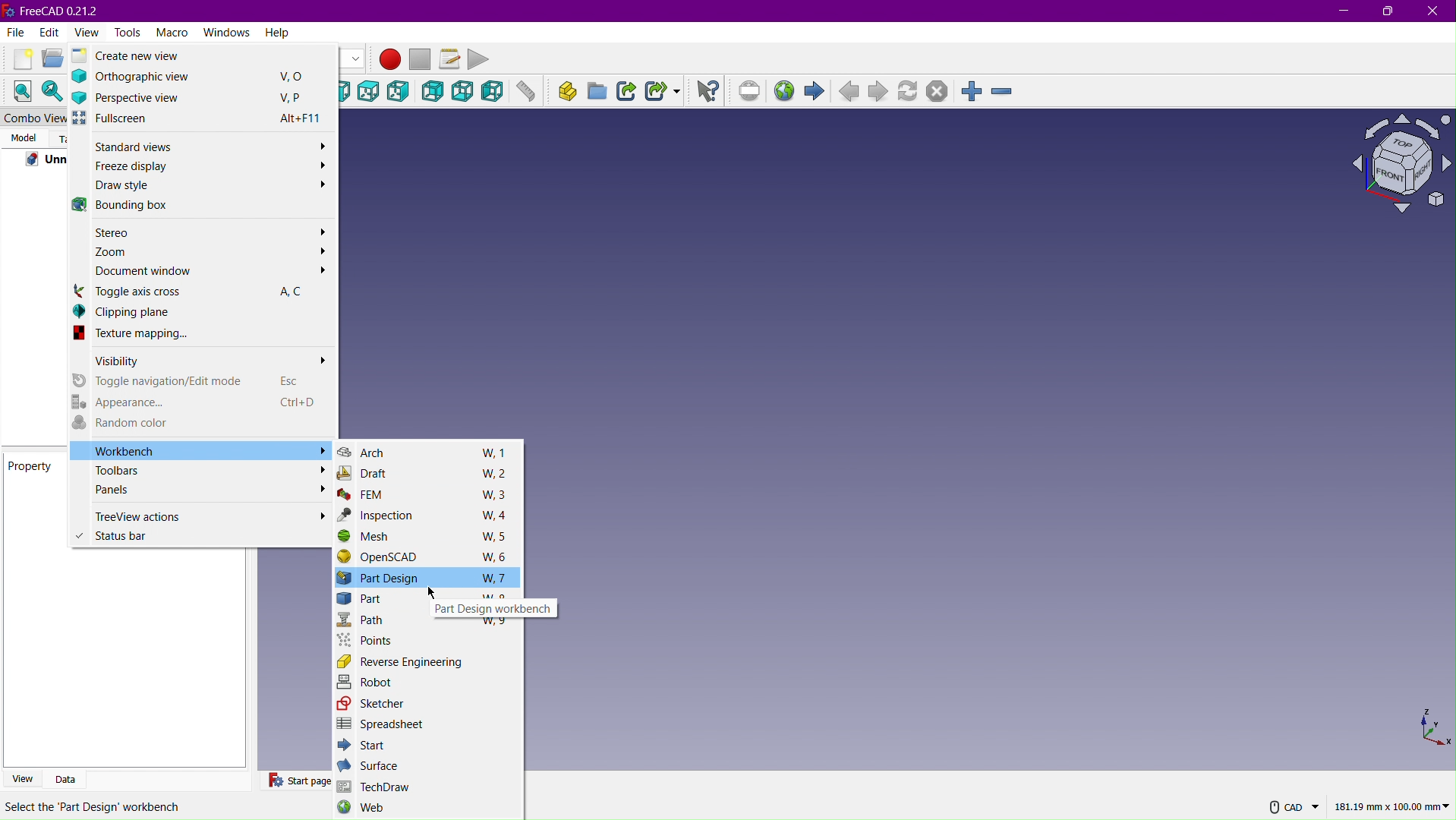 This screenshot has width=1456, height=820. Describe the element at coordinates (50, 91) in the screenshot. I see `Fit Selection` at that location.